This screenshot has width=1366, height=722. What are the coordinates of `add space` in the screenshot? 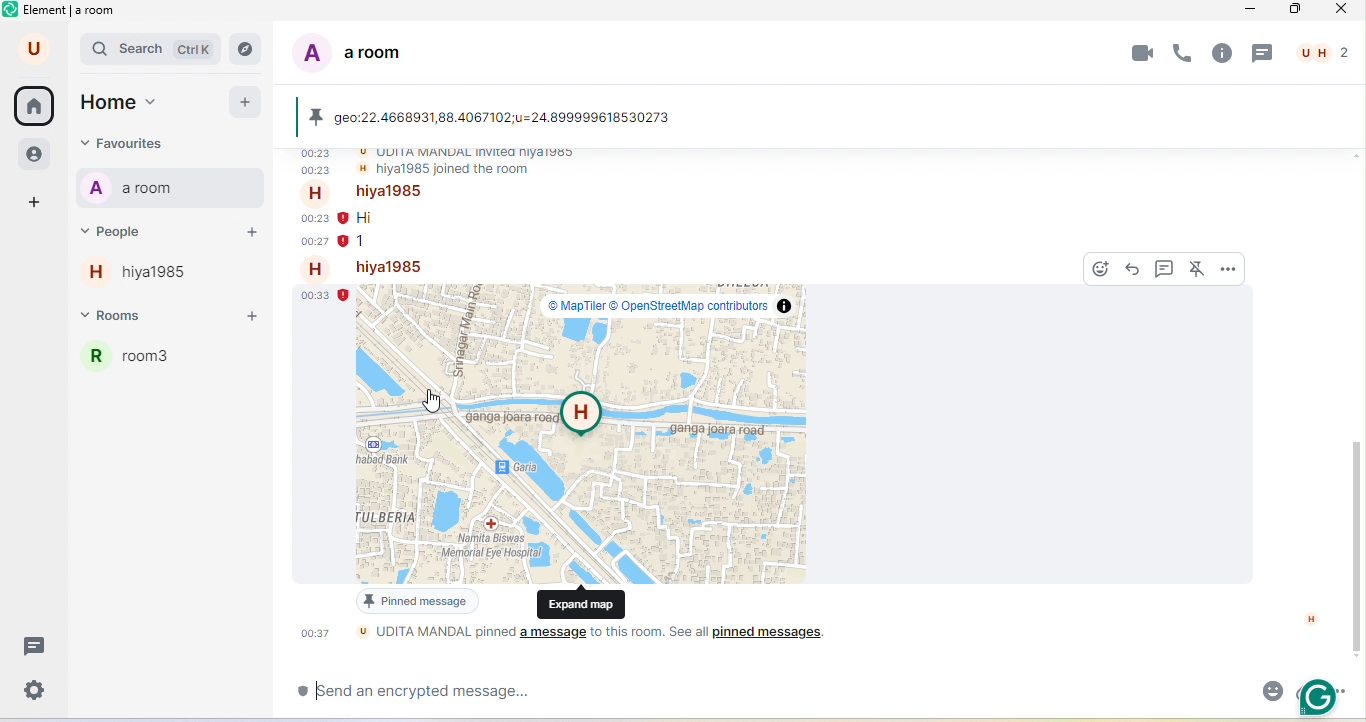 It's located at (31, 202).